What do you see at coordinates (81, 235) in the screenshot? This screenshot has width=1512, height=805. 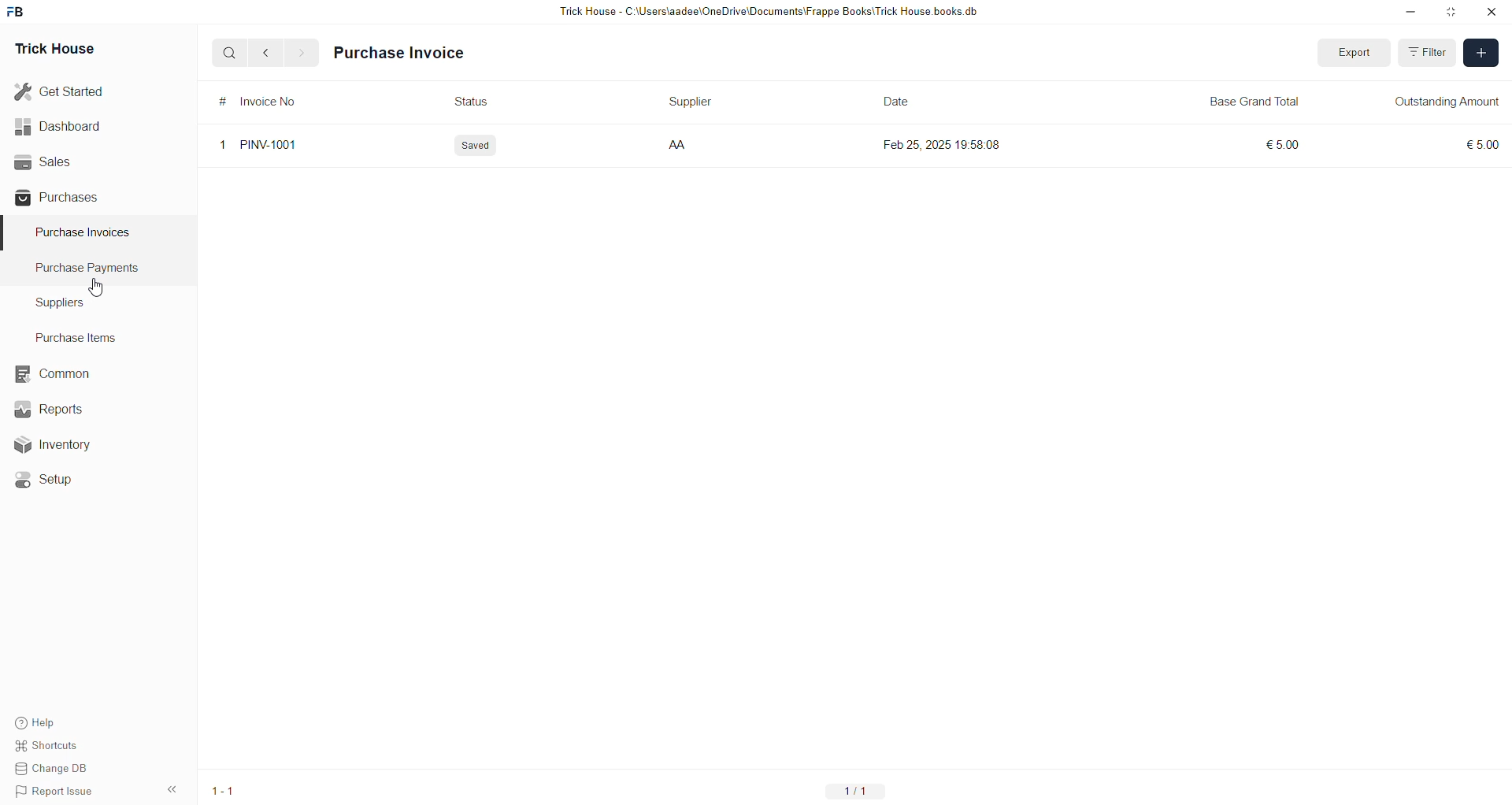 I see `Purchase Invoices` at bounding box center [81, 235].